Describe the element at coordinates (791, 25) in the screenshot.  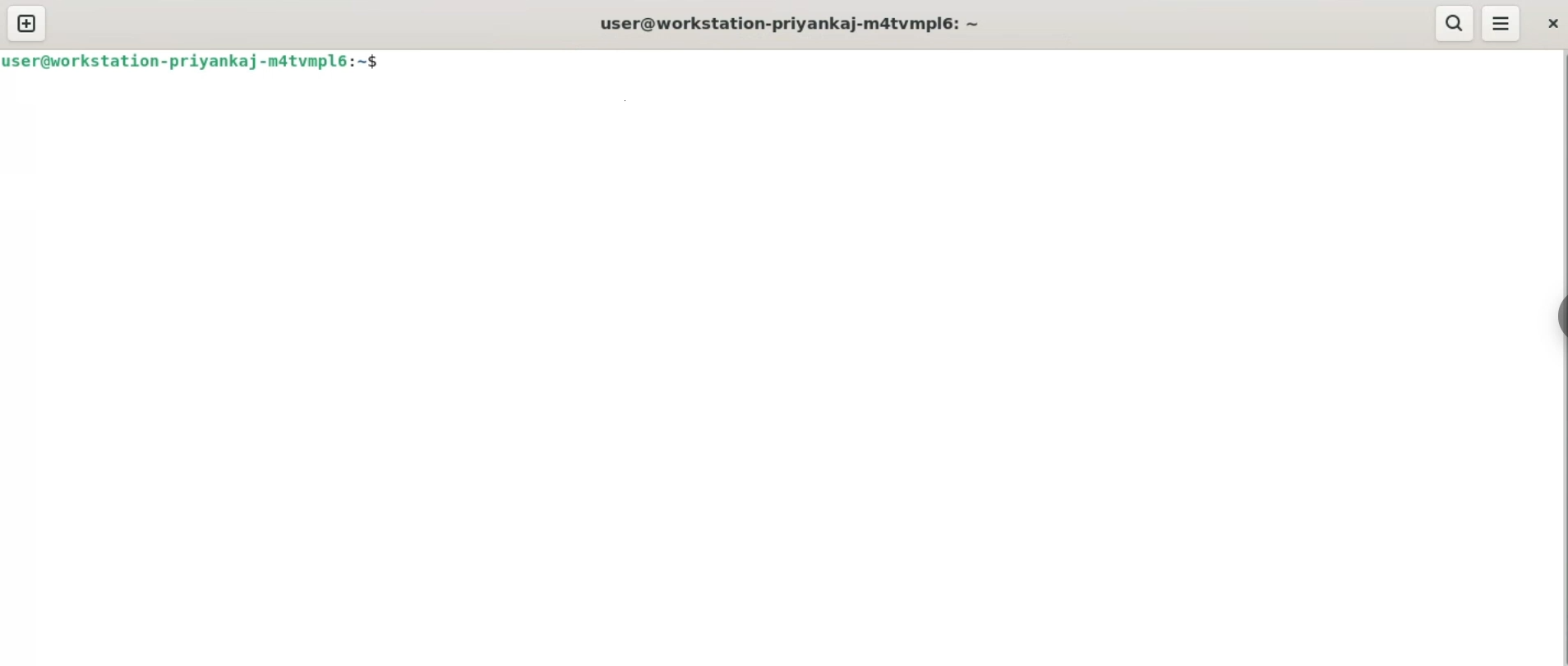
I see `user@workstation-priyankaj-m4tvmplé: ~` at that location.